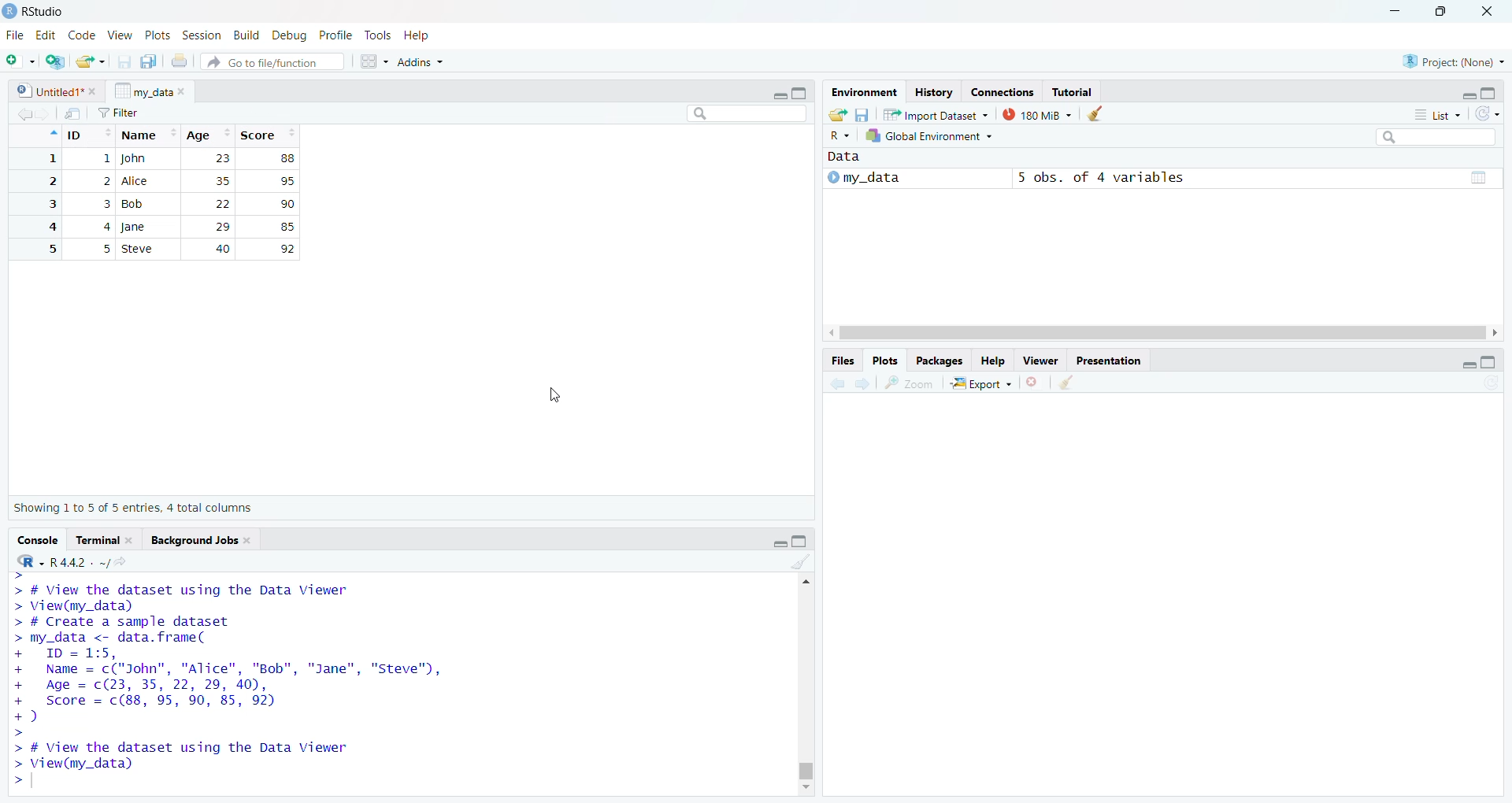 The image size is (1512, 803). What do you see at coordinates (776, 544) in the screenshot?
I see `Minimize` at bounding box center [776, 544].